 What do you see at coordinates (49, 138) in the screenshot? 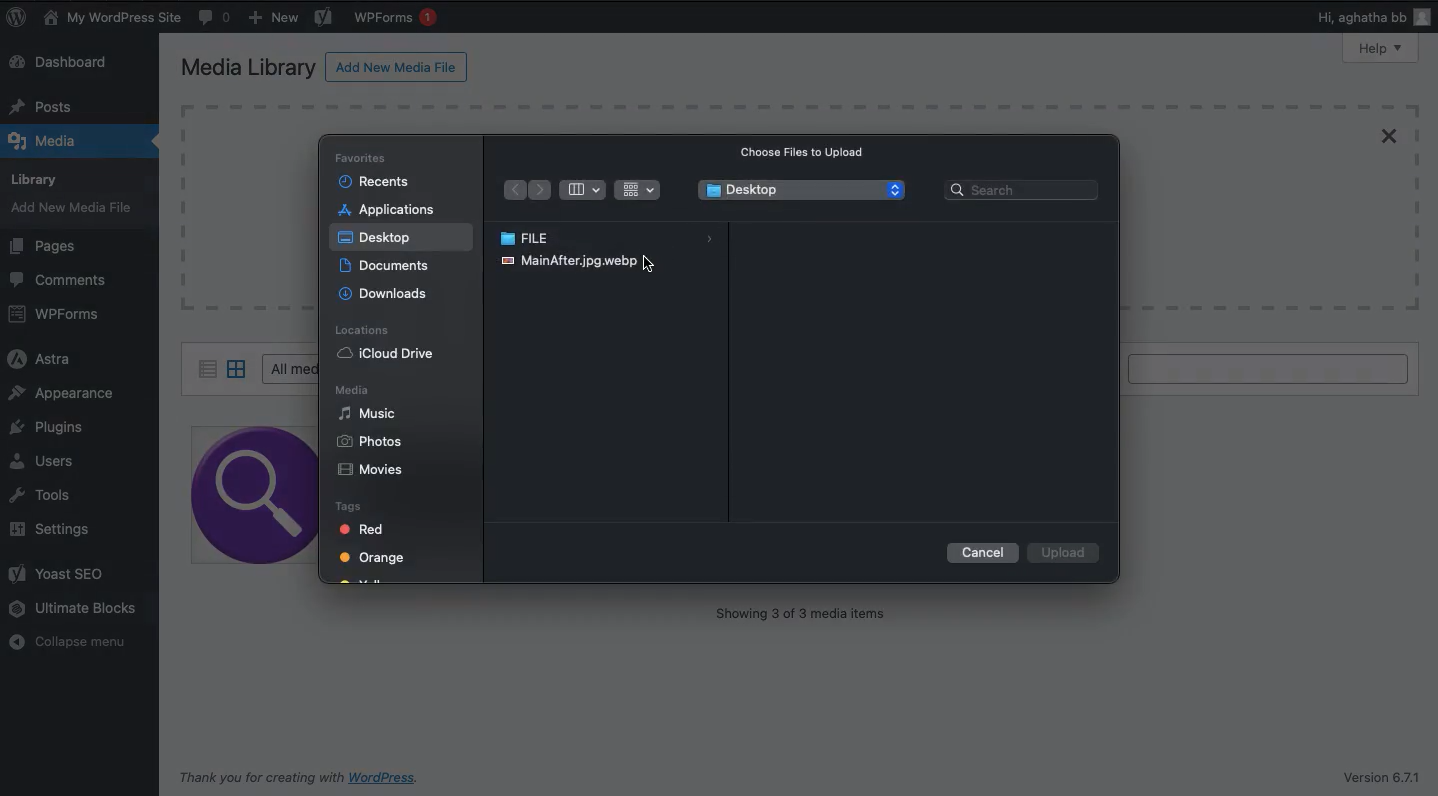
I see `Media` at bounding box center [49, 138].